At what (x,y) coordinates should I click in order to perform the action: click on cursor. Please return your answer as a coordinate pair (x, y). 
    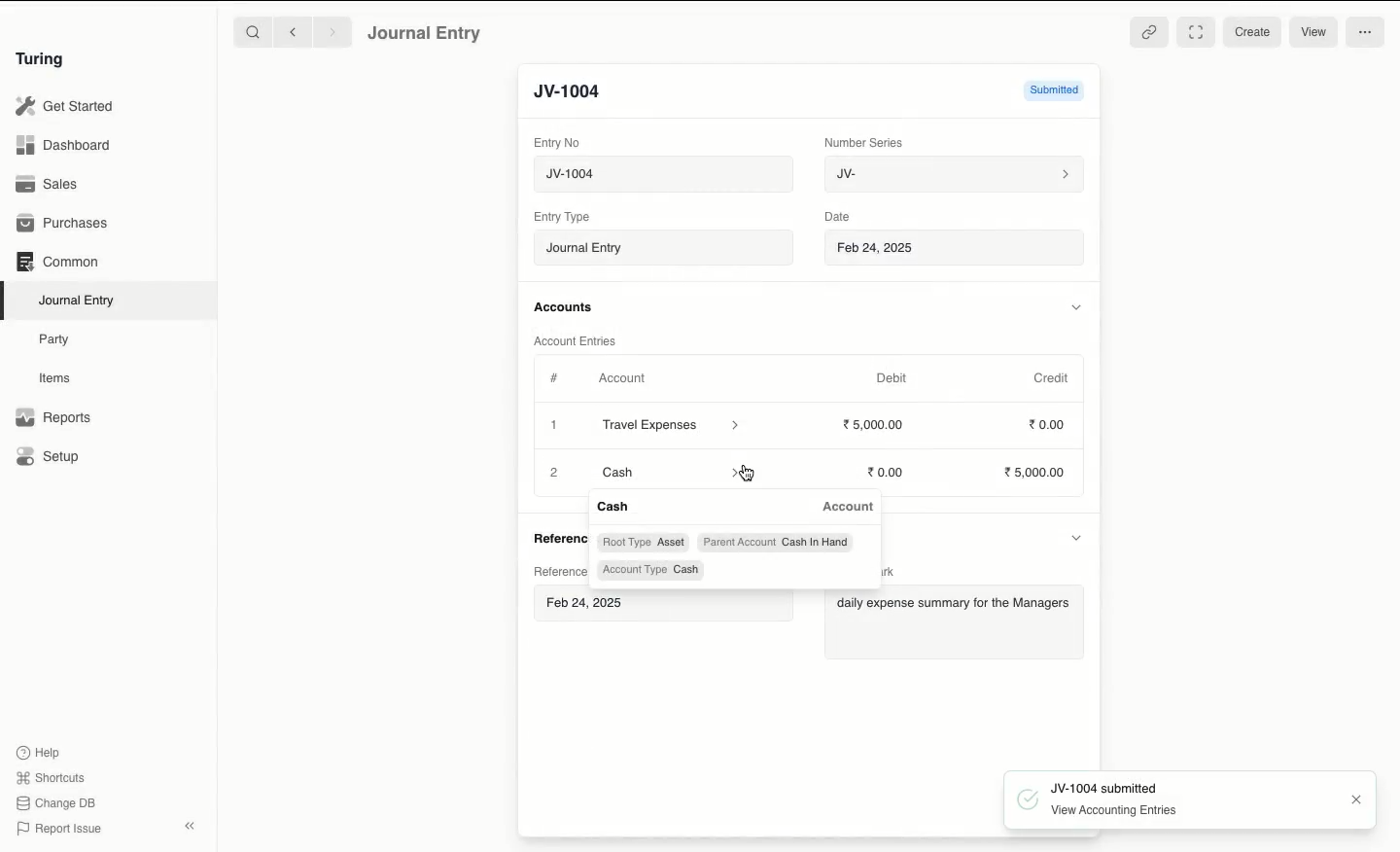
    Looking at the image, I should click on (748, 476).